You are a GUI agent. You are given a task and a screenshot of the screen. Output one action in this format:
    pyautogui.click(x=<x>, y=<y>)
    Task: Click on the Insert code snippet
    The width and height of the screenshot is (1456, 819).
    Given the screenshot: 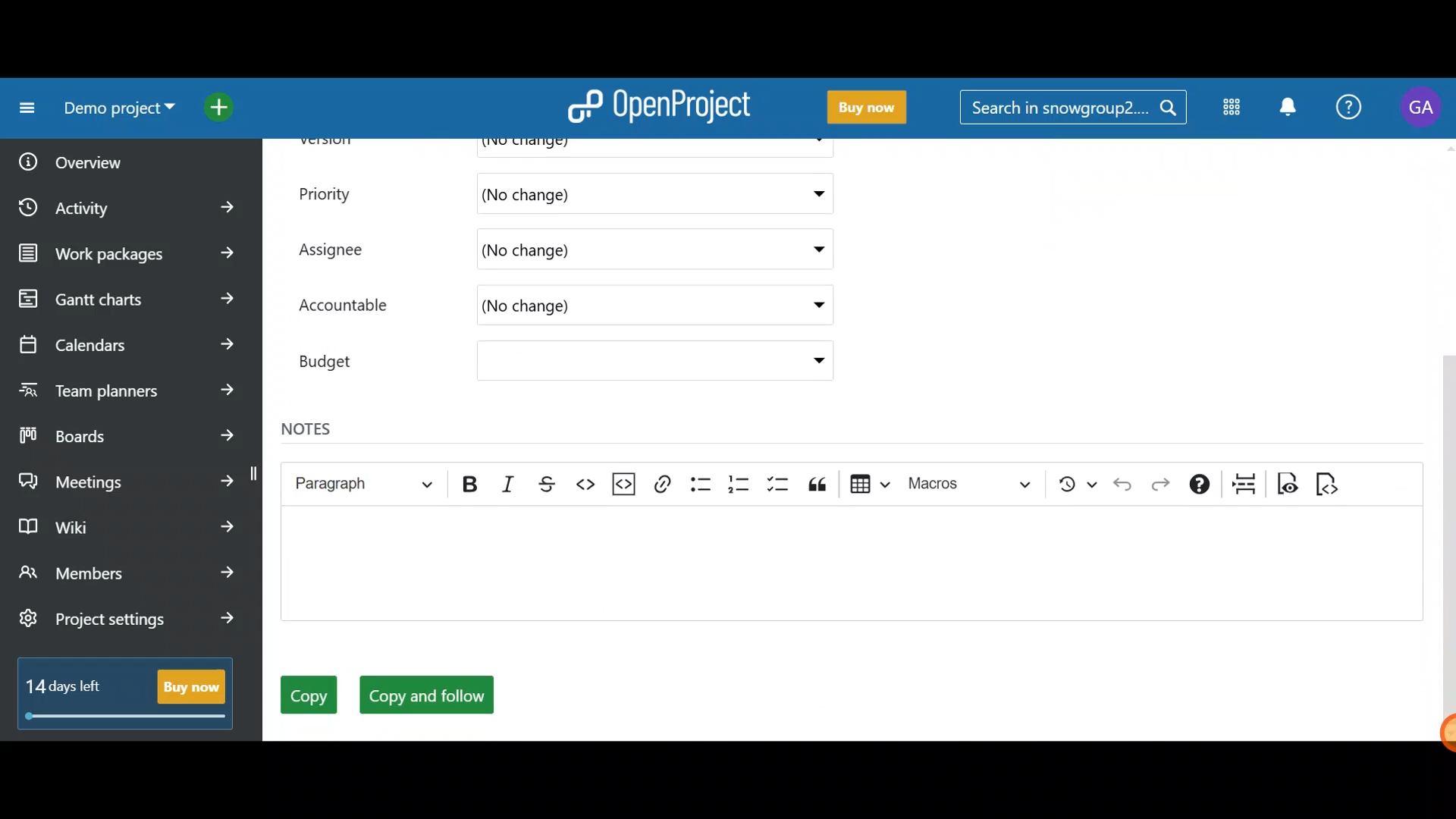 What is the action you would take?
    pyautogui.click(x=620, y=485)
    